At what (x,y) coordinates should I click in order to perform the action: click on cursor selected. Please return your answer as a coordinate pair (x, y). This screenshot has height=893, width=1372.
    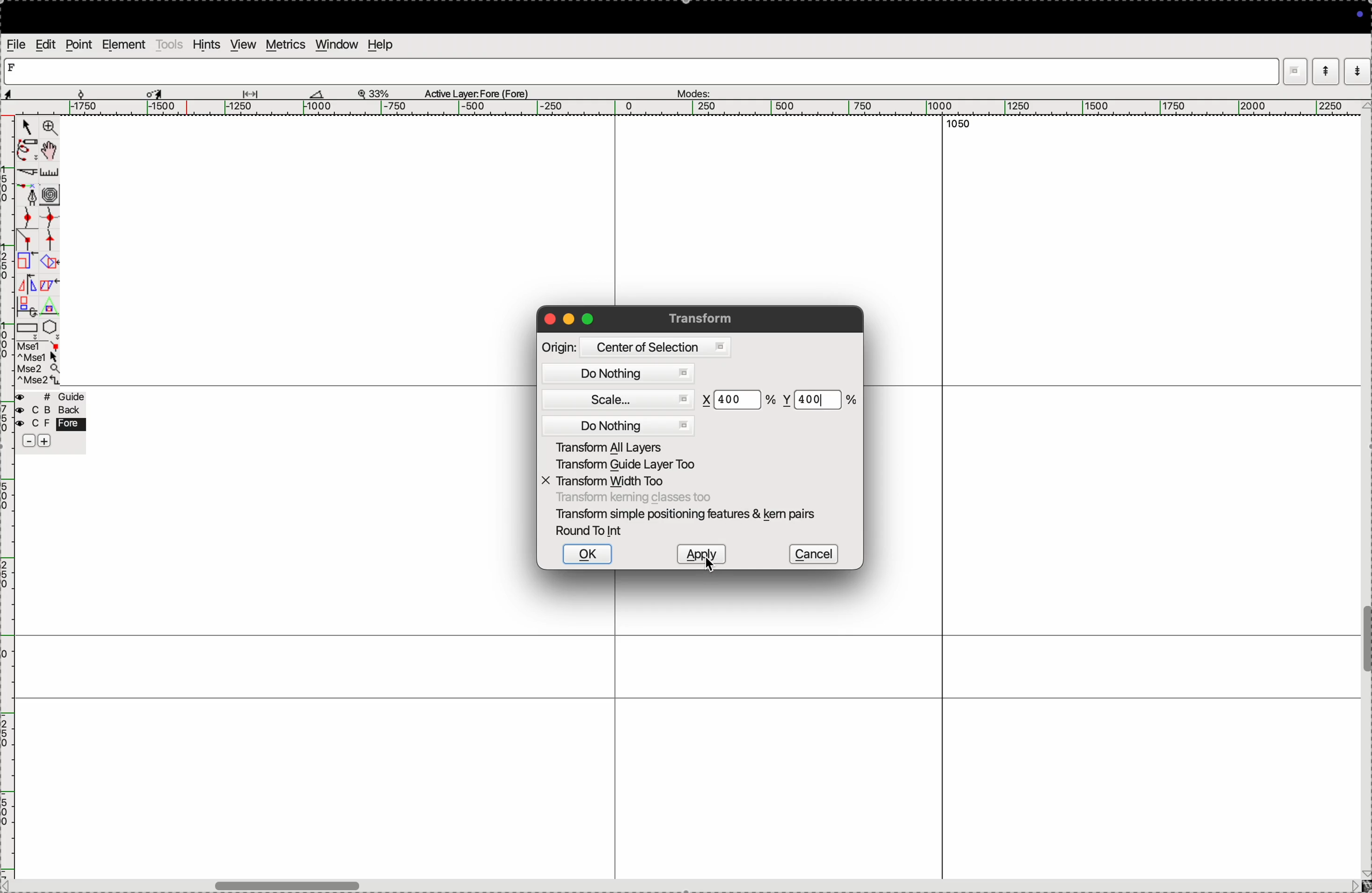
    Looking at the image, I should click on (156, 92).